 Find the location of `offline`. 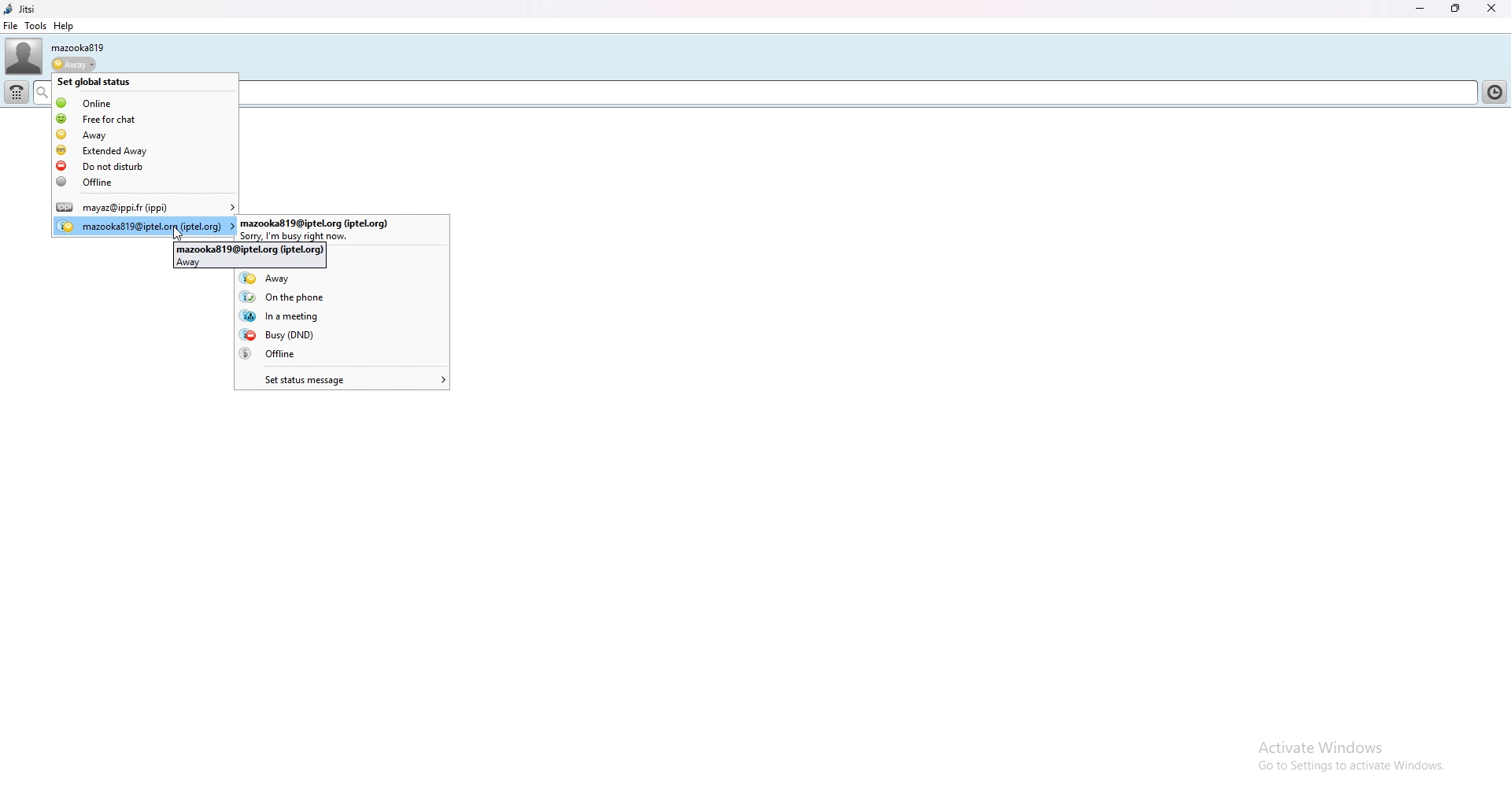

offline is located at coordinates (147, 183).